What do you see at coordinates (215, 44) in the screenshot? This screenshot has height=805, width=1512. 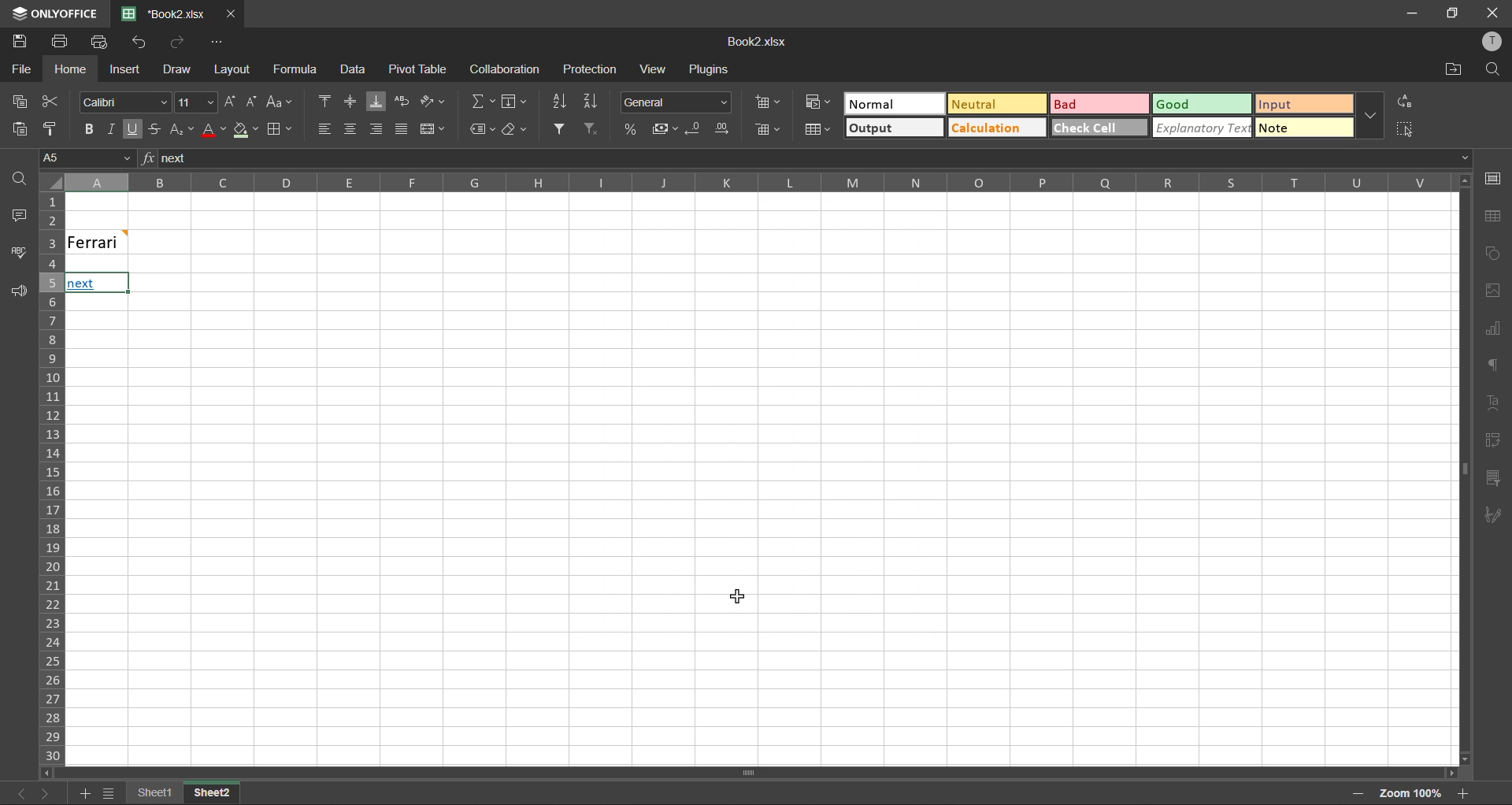 I see `customize quick access toolbar` at bounding box center [215, 44].